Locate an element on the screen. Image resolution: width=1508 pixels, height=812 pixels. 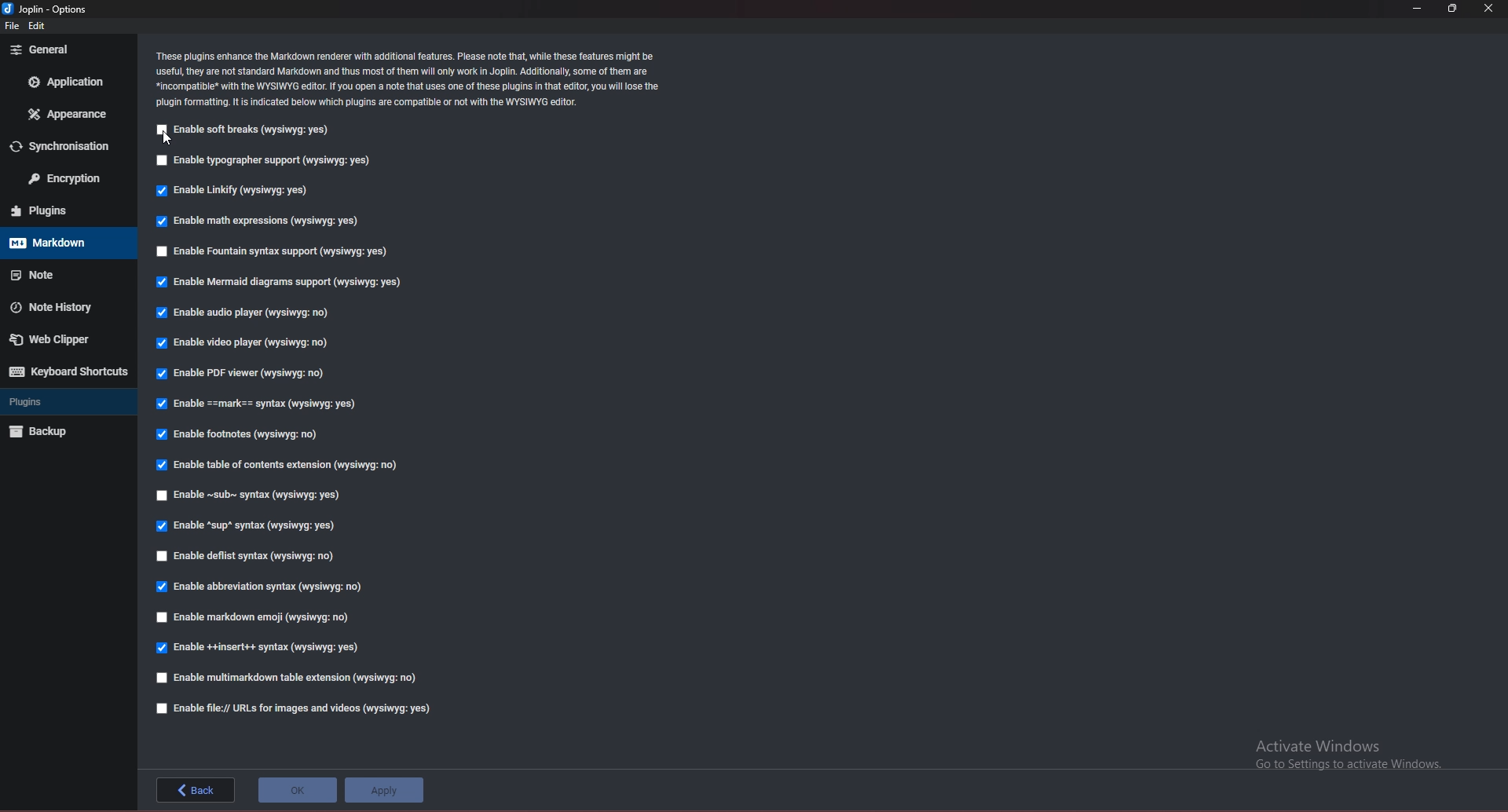
Activate Windows is located at coordinates (1345, 753).